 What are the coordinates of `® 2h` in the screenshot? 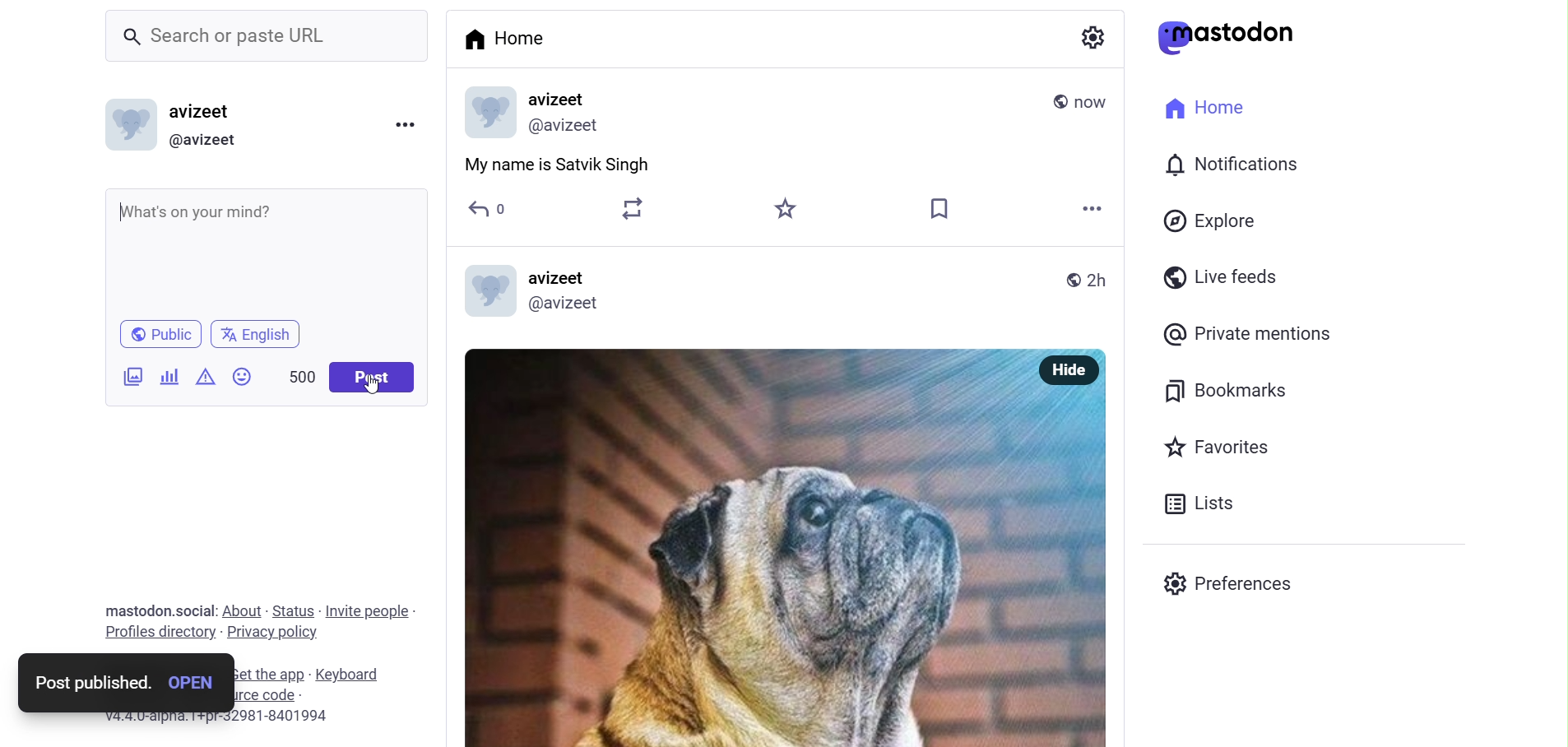 It's located at (1088, 281).